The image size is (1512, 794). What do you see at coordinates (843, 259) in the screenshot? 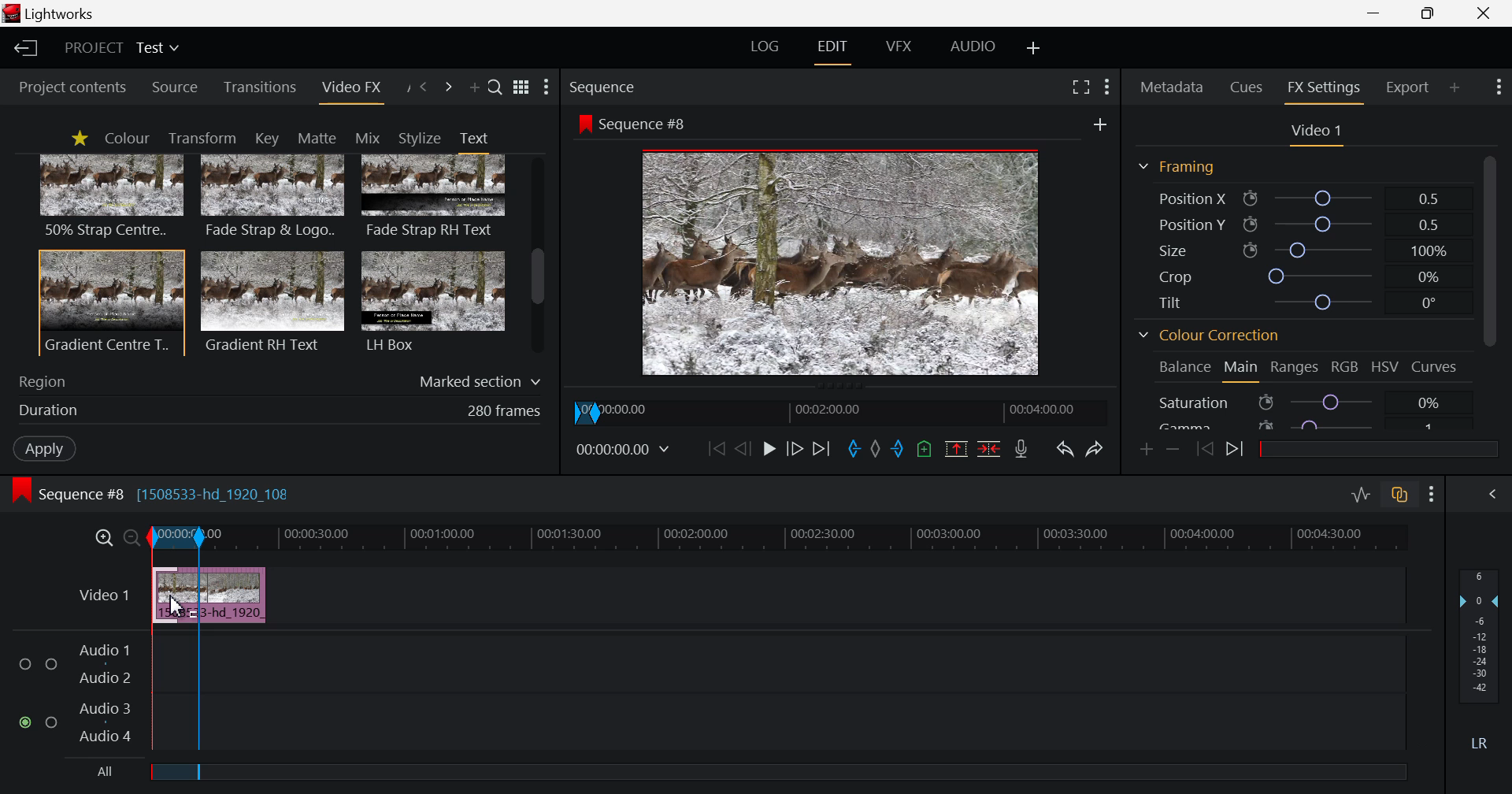
I see `Preview Altered` at bounding box center [843, 259].